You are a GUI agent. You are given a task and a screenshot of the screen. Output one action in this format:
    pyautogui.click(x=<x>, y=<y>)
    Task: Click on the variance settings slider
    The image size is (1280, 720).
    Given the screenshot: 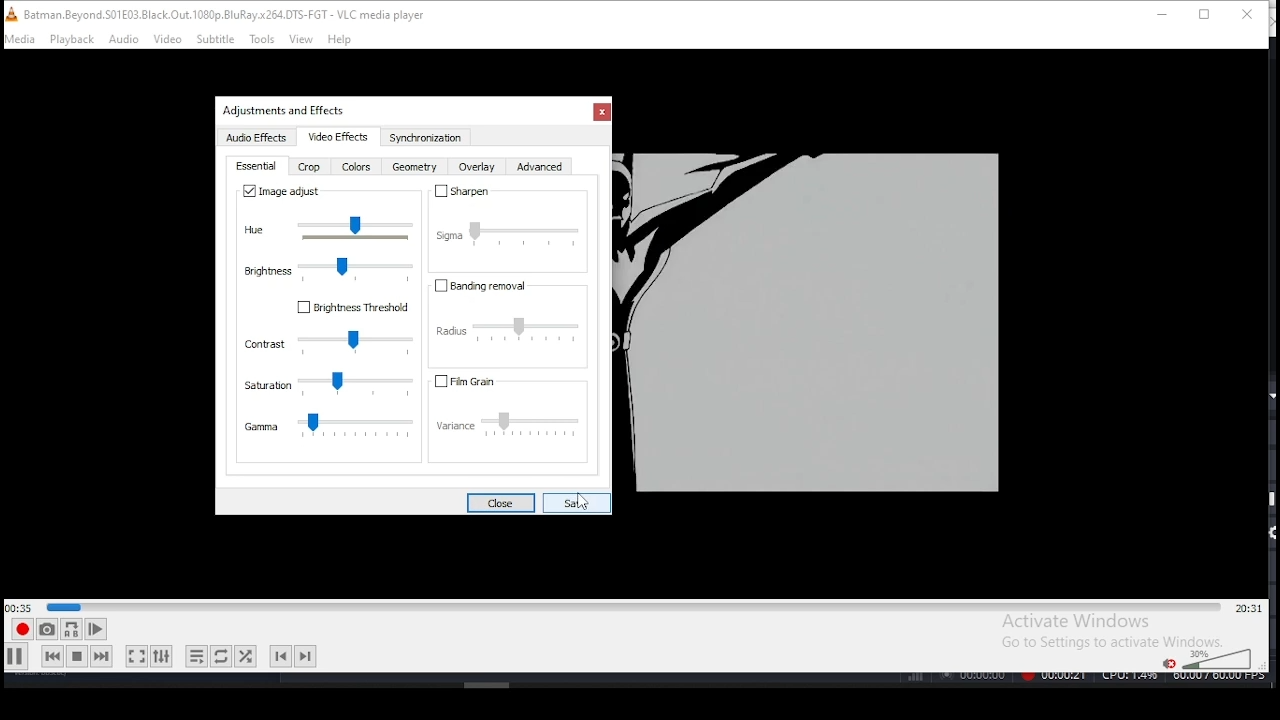 What is the action you would take?
    pyautogui.click(x=515, y=428)
    